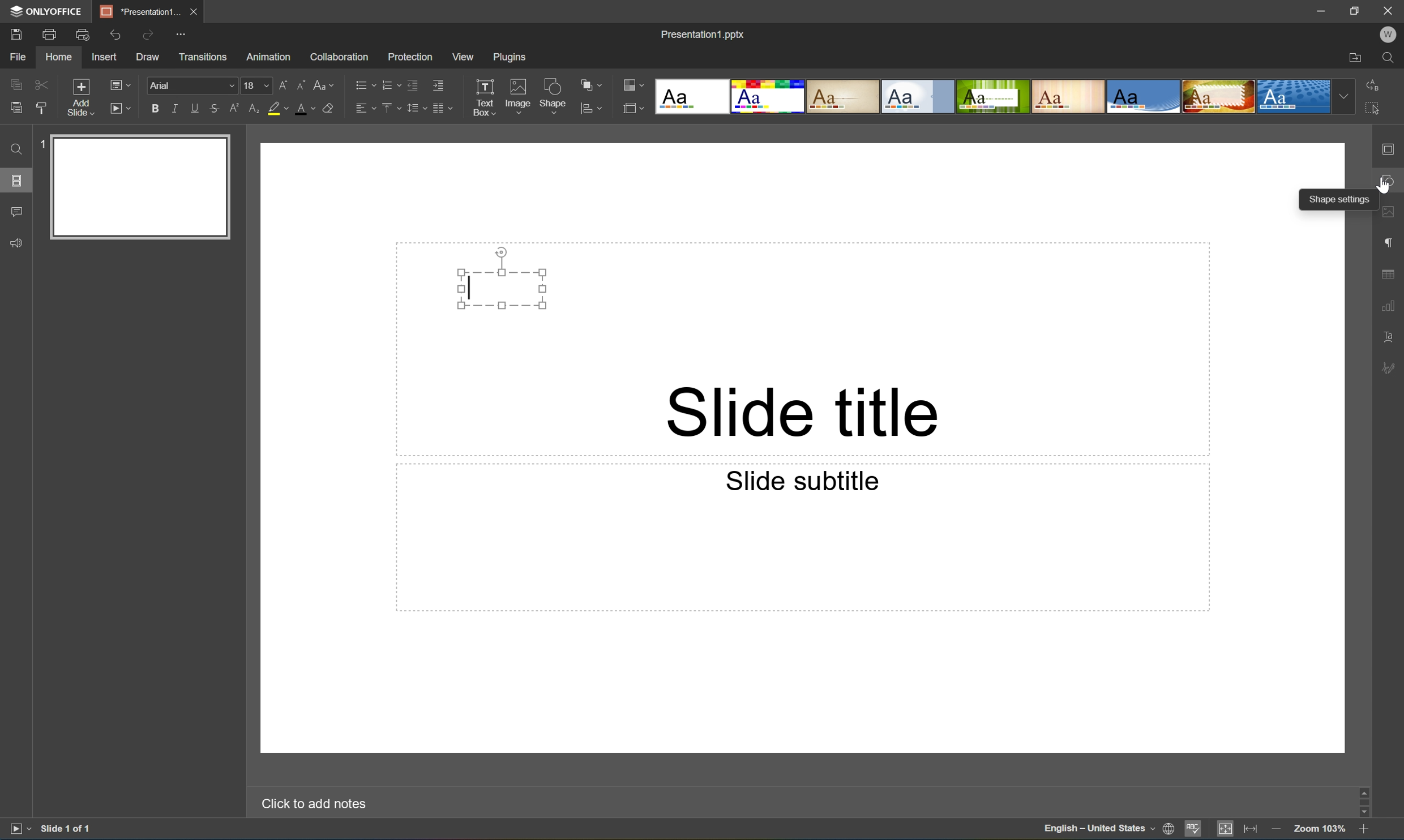 The width and height of the screenshot is (1404, 840). Describe the element at coordinates (633, 110) in the screenshot. I see `Select slide size` at that location.